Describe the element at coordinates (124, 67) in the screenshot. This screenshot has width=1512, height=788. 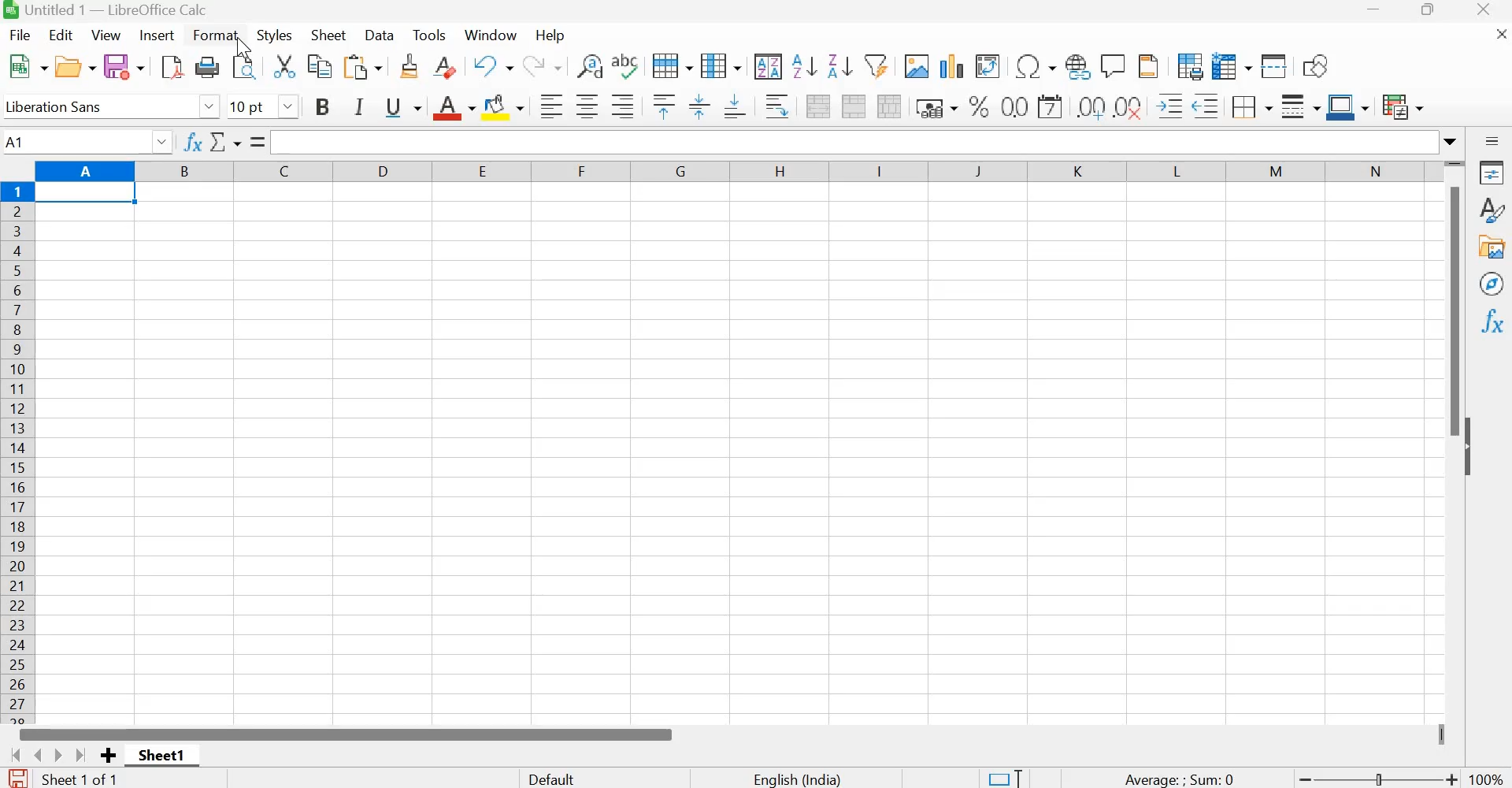
I see `Save` at that location.